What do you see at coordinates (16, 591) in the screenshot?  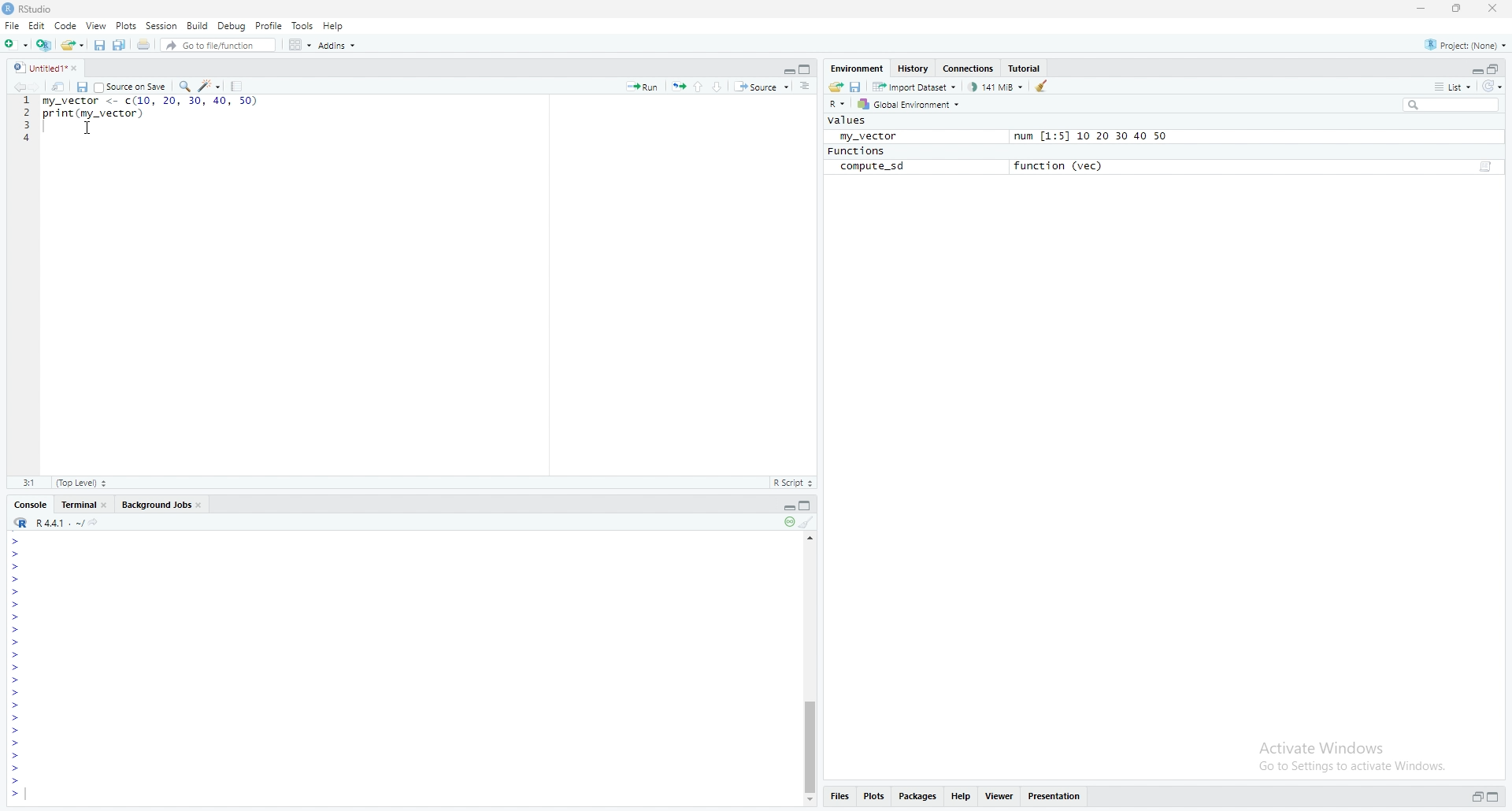 I see `Prompt Cursor` at bounding box center [16, 591].